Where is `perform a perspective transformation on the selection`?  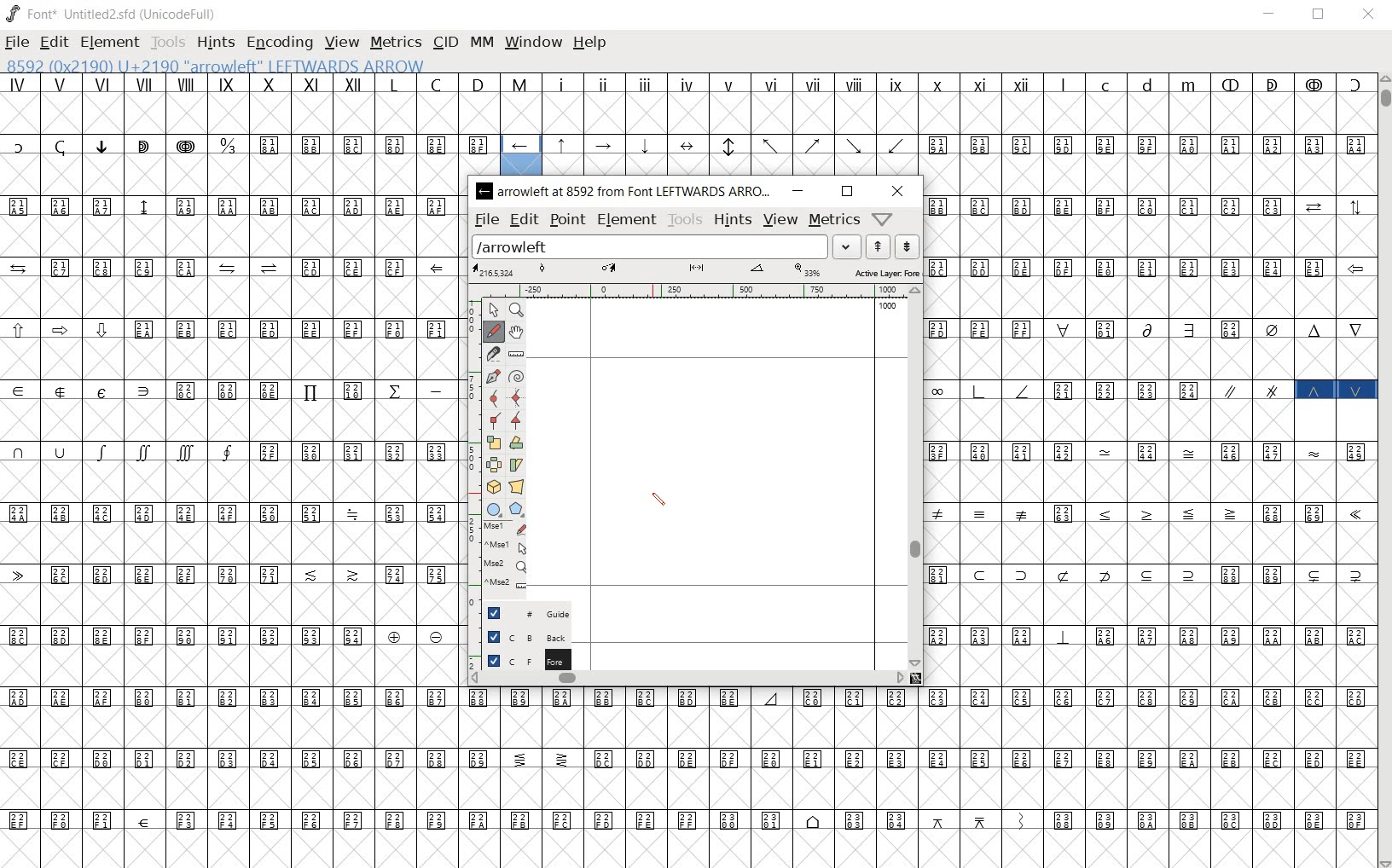 perform a perspective transformation on the selection is located at coordinates (515, 485).